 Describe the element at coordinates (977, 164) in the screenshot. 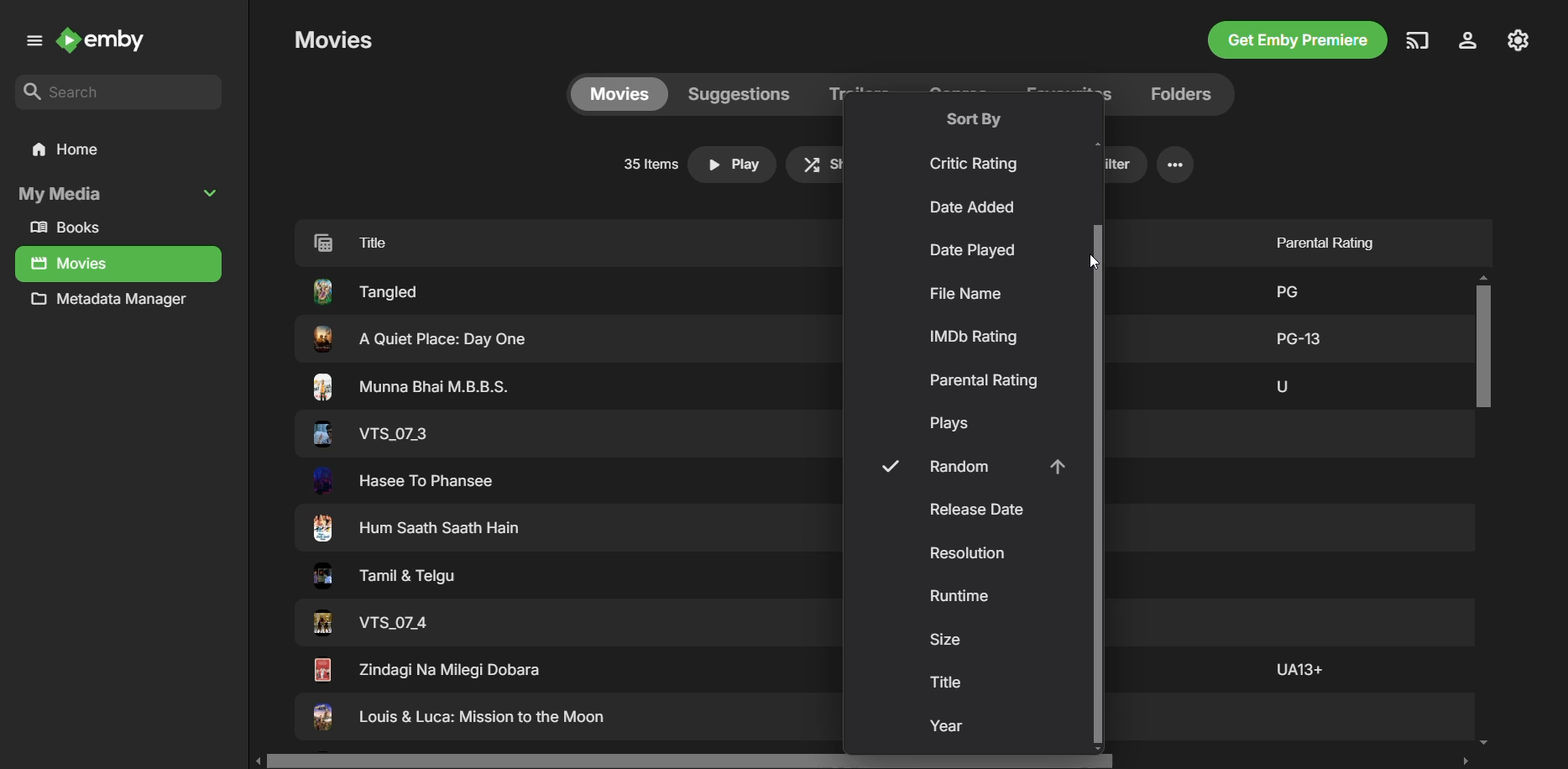

I see `Critic Rating` at that location.